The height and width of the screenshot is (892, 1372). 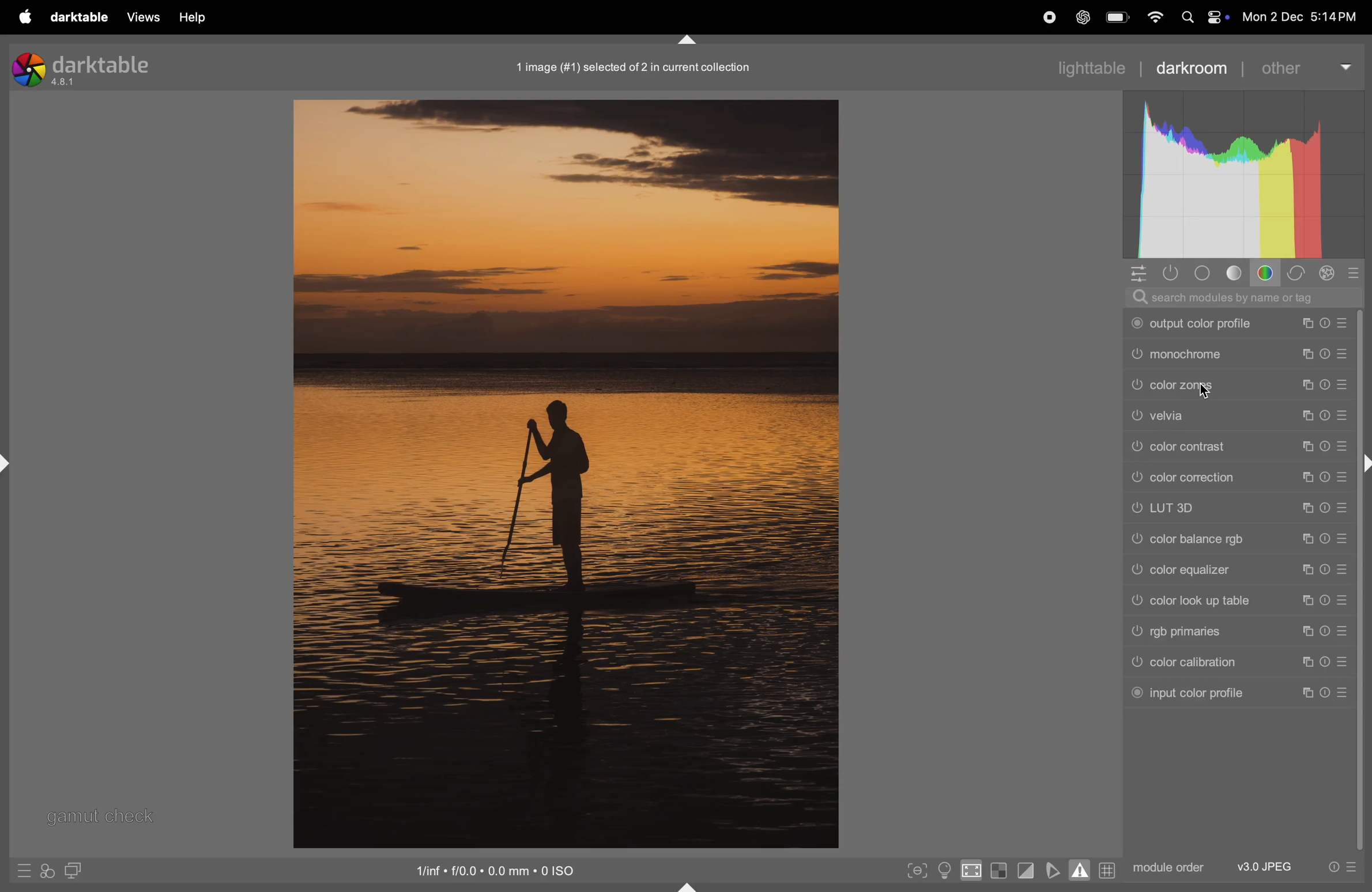 What do you see at coordinates (1324, 476) in the screenshot?
I see `Timer` at bounding box center [1324, 476].